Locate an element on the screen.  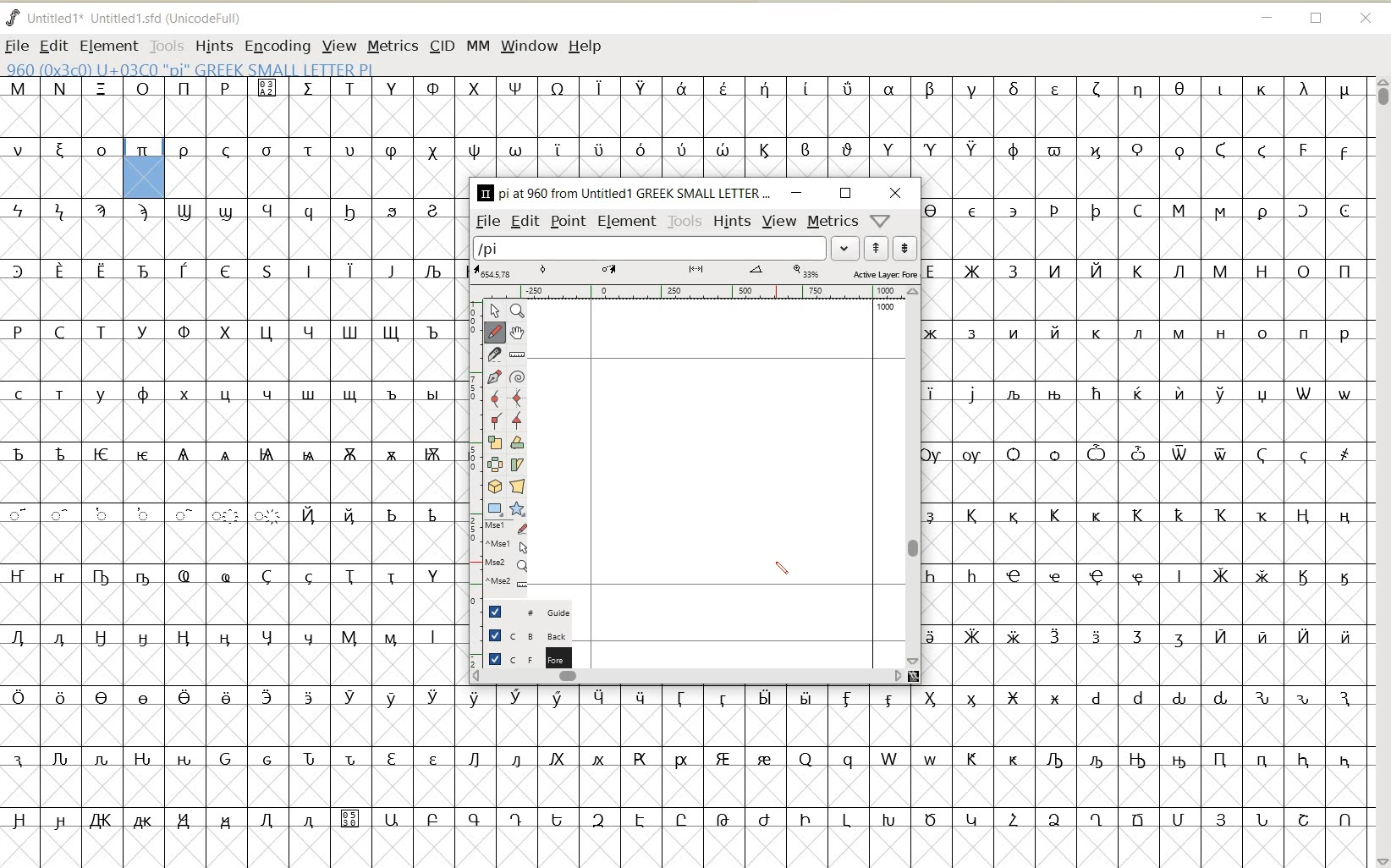
rotate the selection in 3D and project back to plane is located at coordinates (494, 486).